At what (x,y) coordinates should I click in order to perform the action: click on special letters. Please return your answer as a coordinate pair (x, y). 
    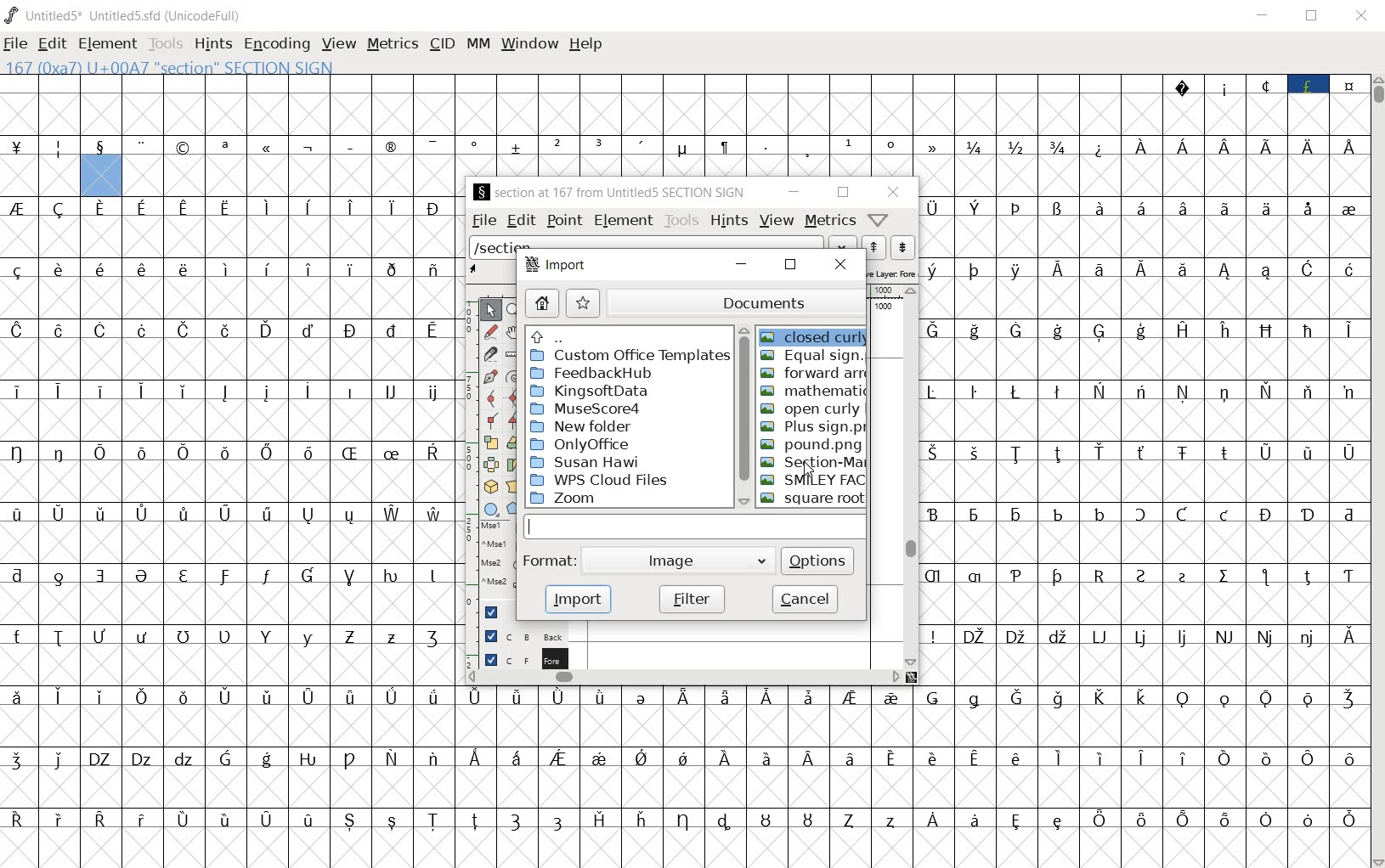
    Looking at the image, I should click on (1145, 330).